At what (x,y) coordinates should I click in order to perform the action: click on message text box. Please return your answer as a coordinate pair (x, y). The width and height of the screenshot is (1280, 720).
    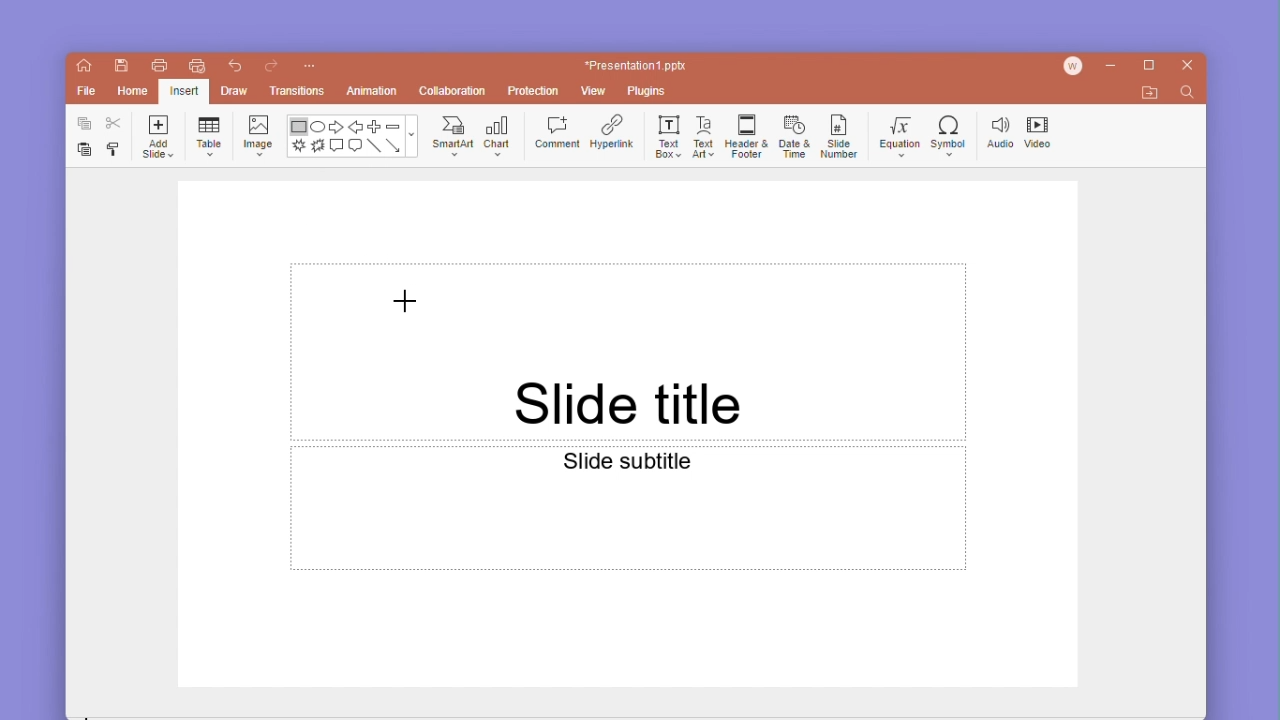
    Looking at the image, I should click on (355, 147).